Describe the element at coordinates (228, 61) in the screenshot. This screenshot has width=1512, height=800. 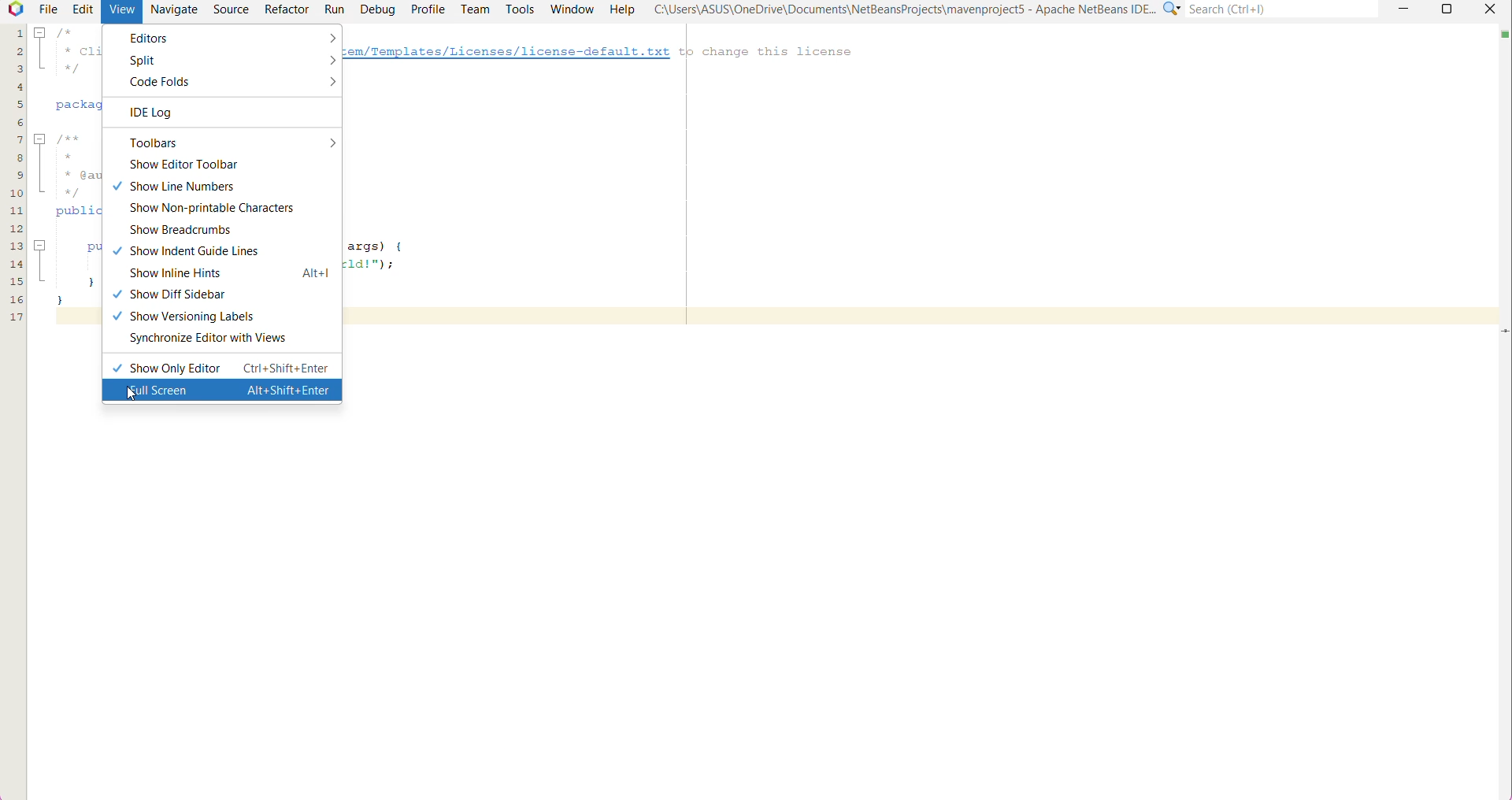
I see `Split` at that location.